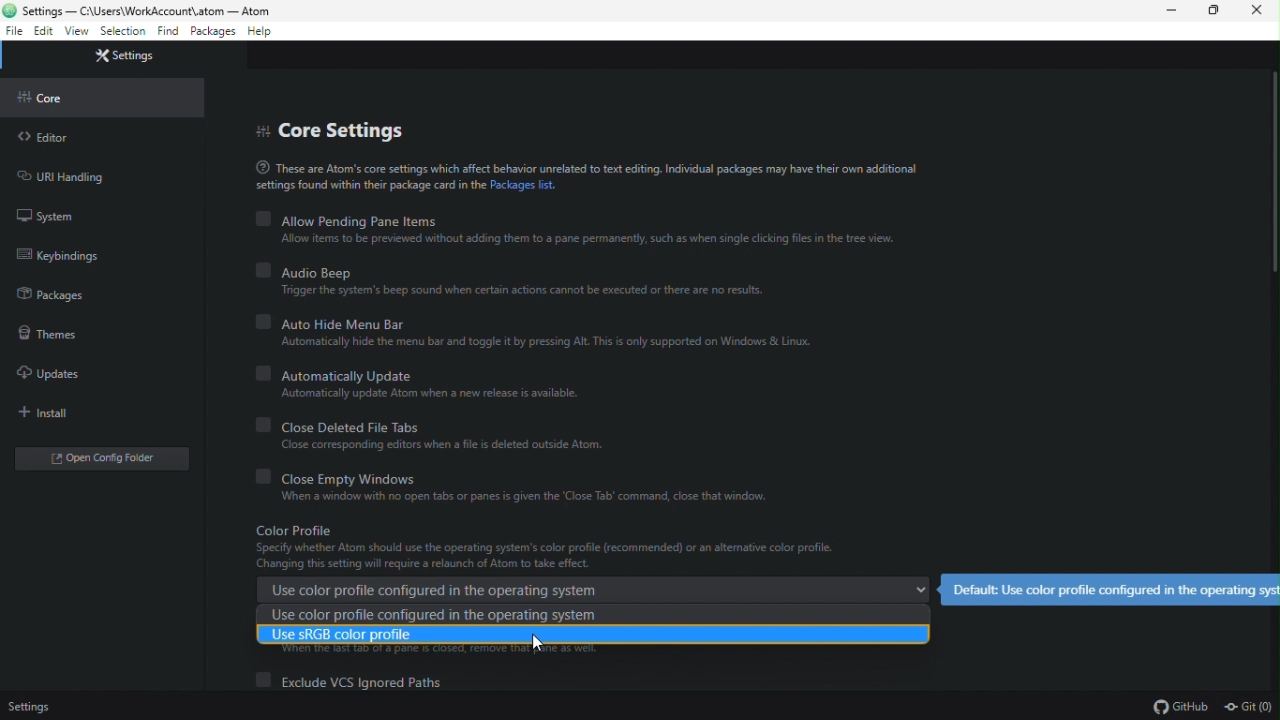  I want to click on audio beep, so click(510, 280).